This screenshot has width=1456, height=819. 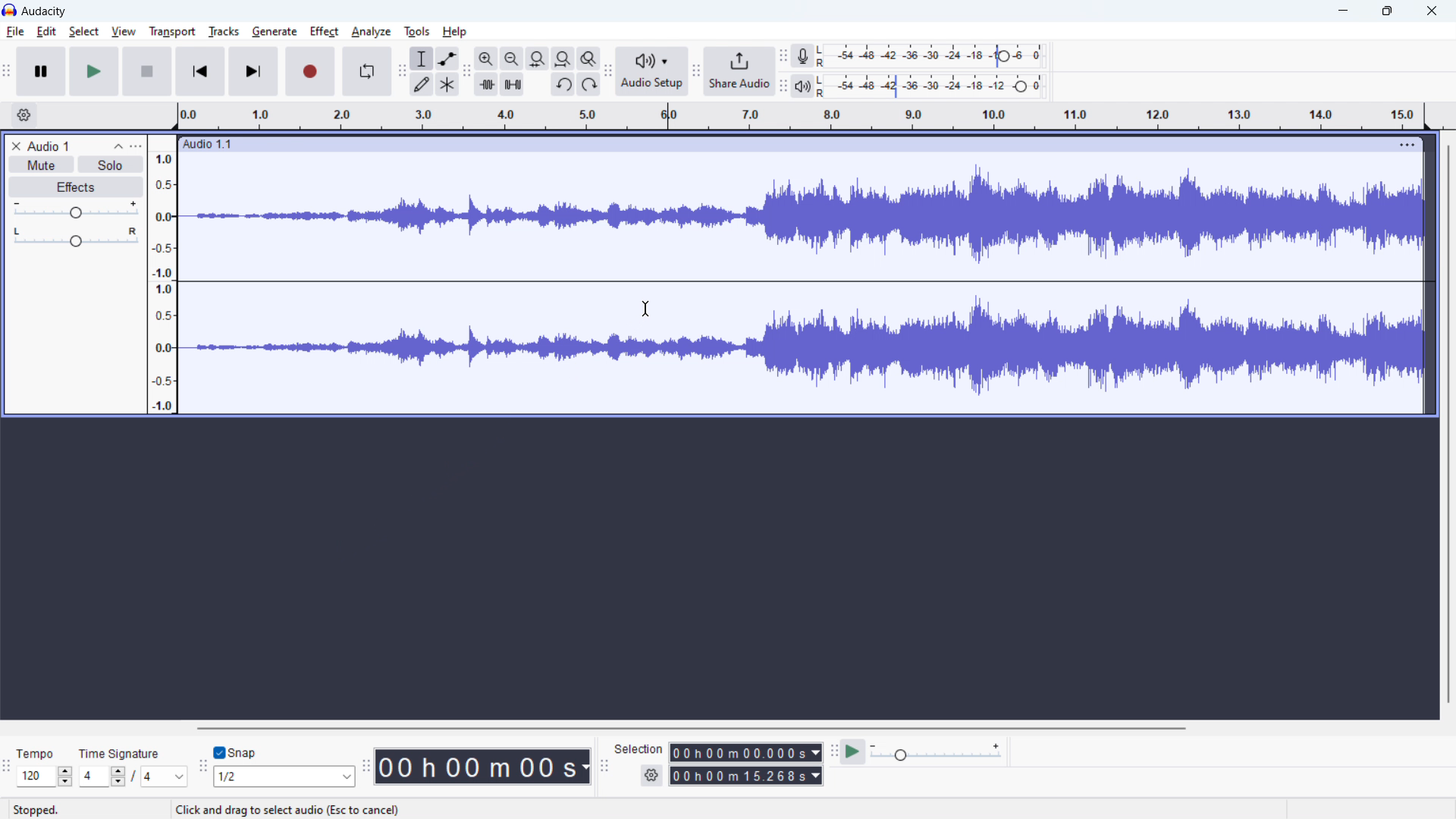 What do you see at coordinates (366, 71) in the screenshot?
I see `enable looping` at bounding box center [366, 71].